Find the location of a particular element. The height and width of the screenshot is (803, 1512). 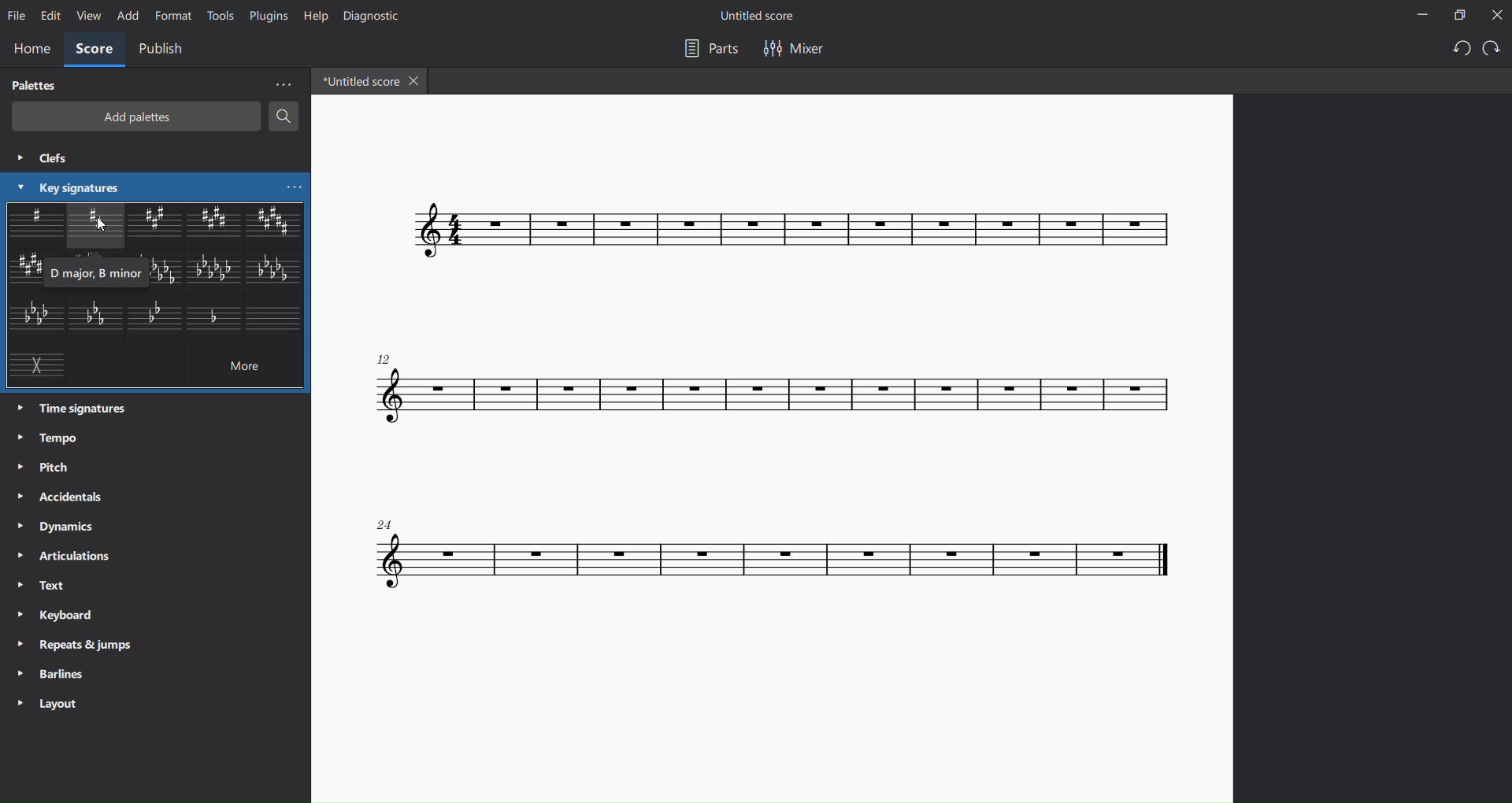

d major b minor is located at coordinates (97, 276).